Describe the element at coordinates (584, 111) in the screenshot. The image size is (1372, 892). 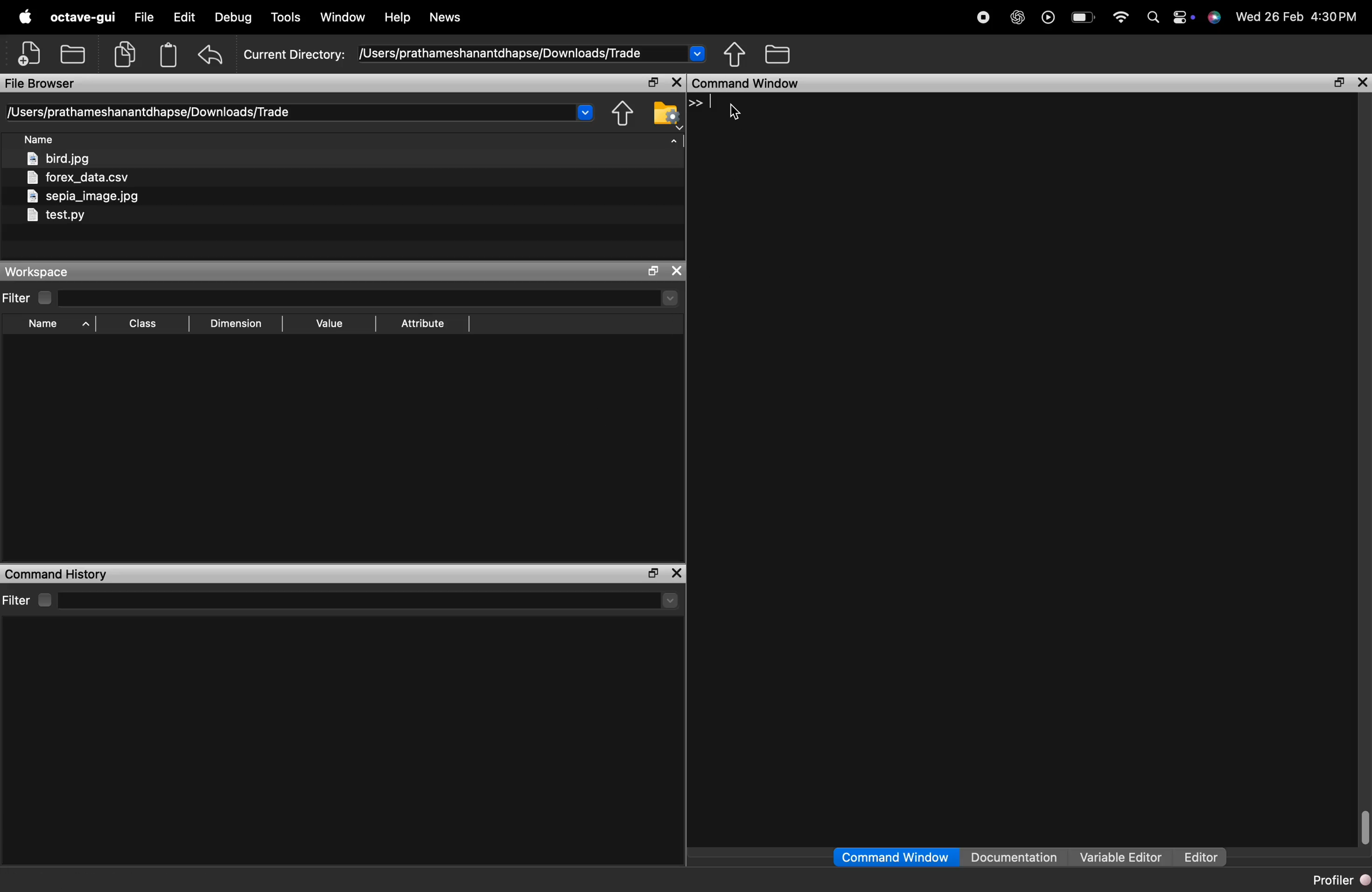
I see `Drop-down ` at that location.